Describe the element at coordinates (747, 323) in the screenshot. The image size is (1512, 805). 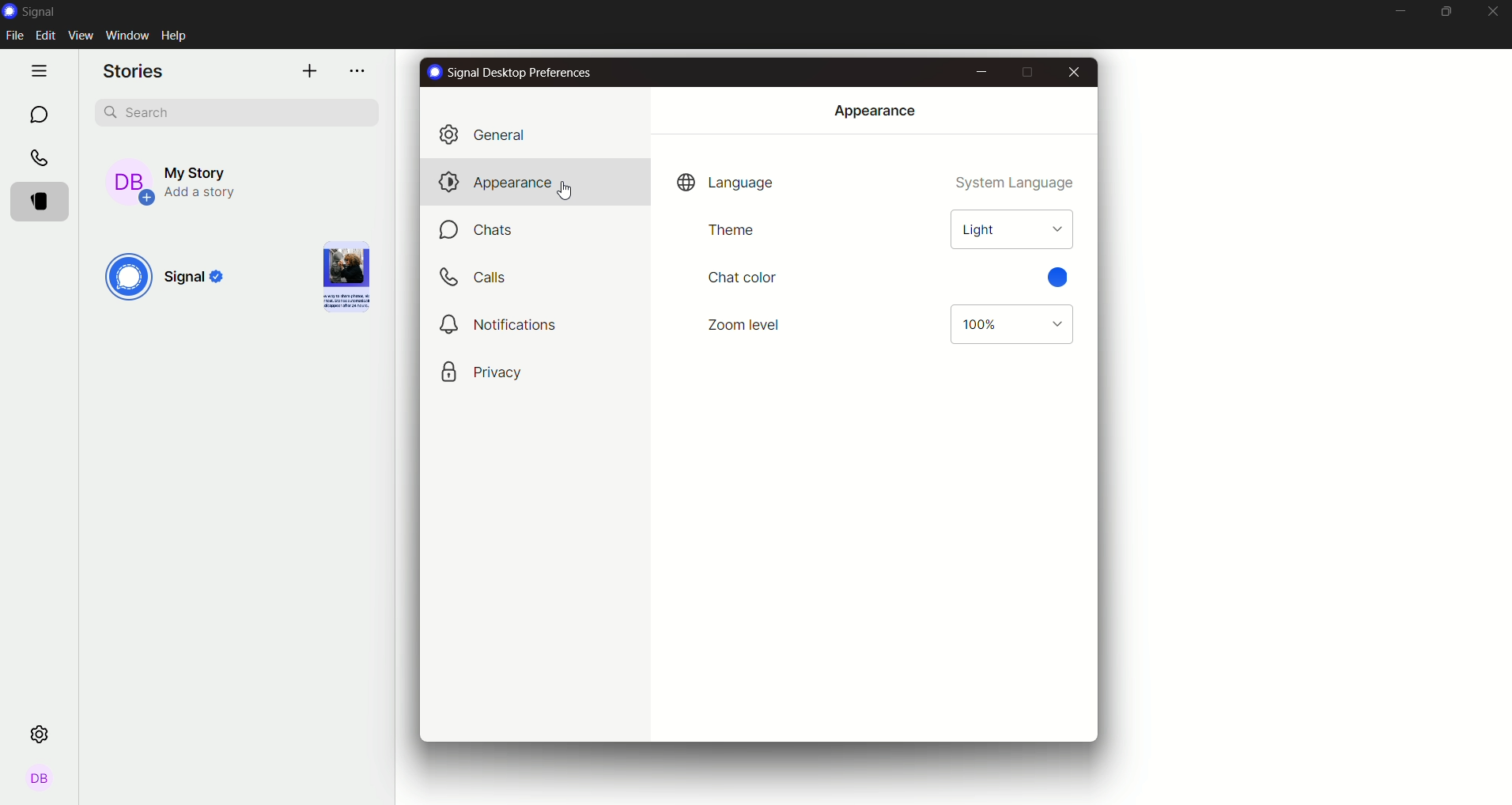
I see `zoom level` at that location.